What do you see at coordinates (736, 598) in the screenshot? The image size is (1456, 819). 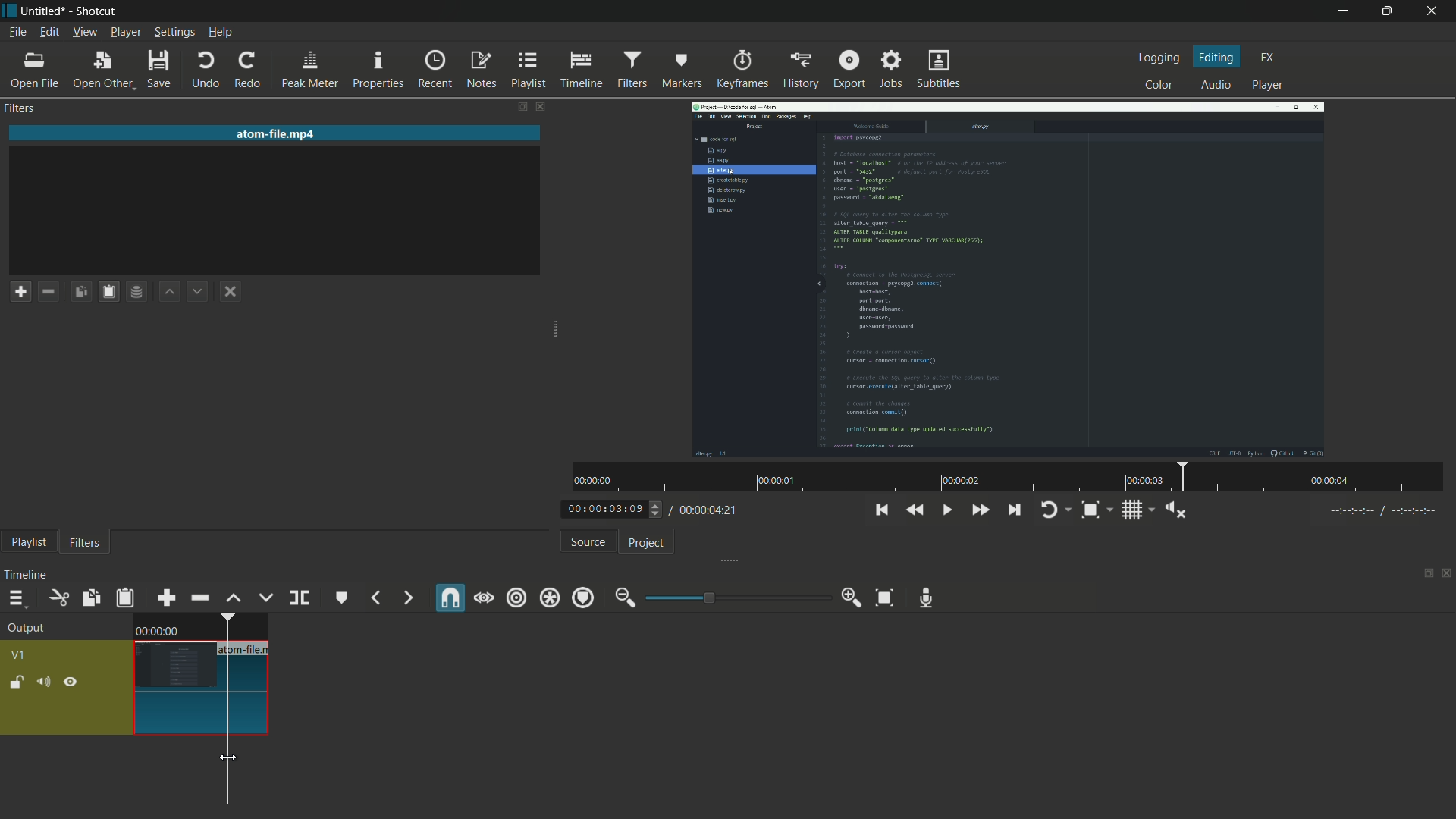 I see `adjustment bar` at bounding box center [736, 598].